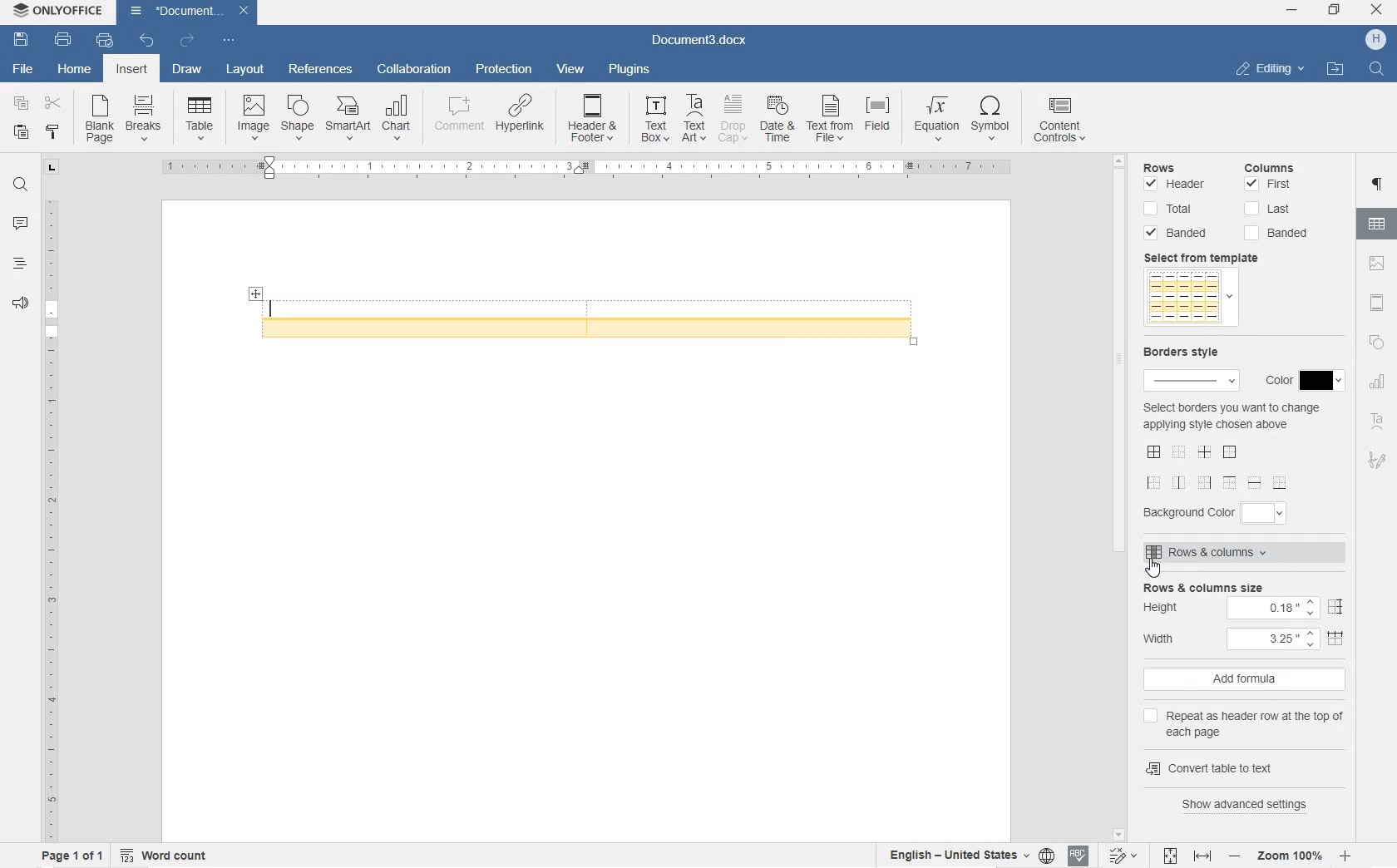 The width and height of the screenshot is (1397, 868). I want to click on UNDO, so click(147, 42).